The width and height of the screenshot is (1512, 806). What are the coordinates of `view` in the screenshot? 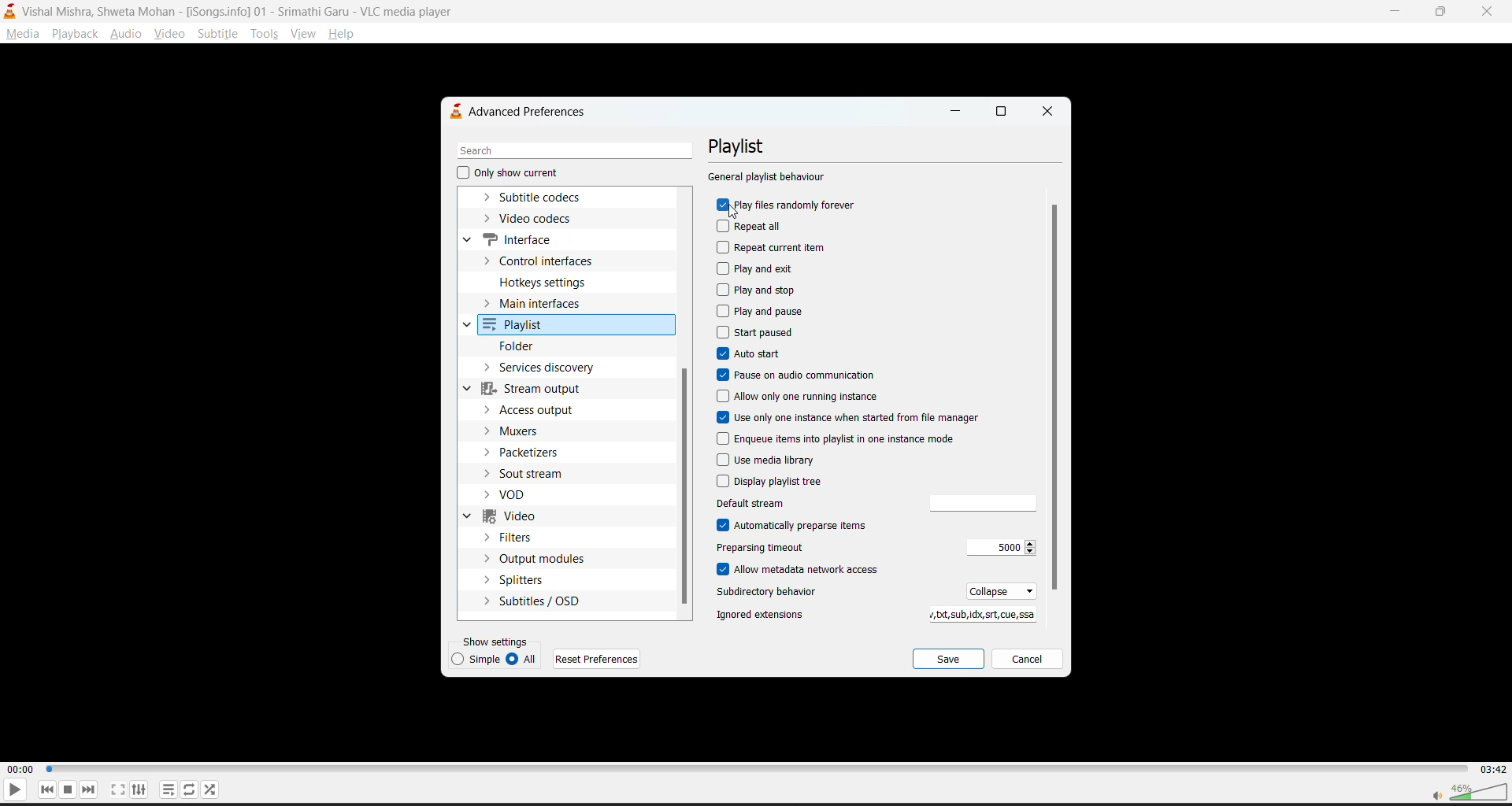 It's located at (306, 37).